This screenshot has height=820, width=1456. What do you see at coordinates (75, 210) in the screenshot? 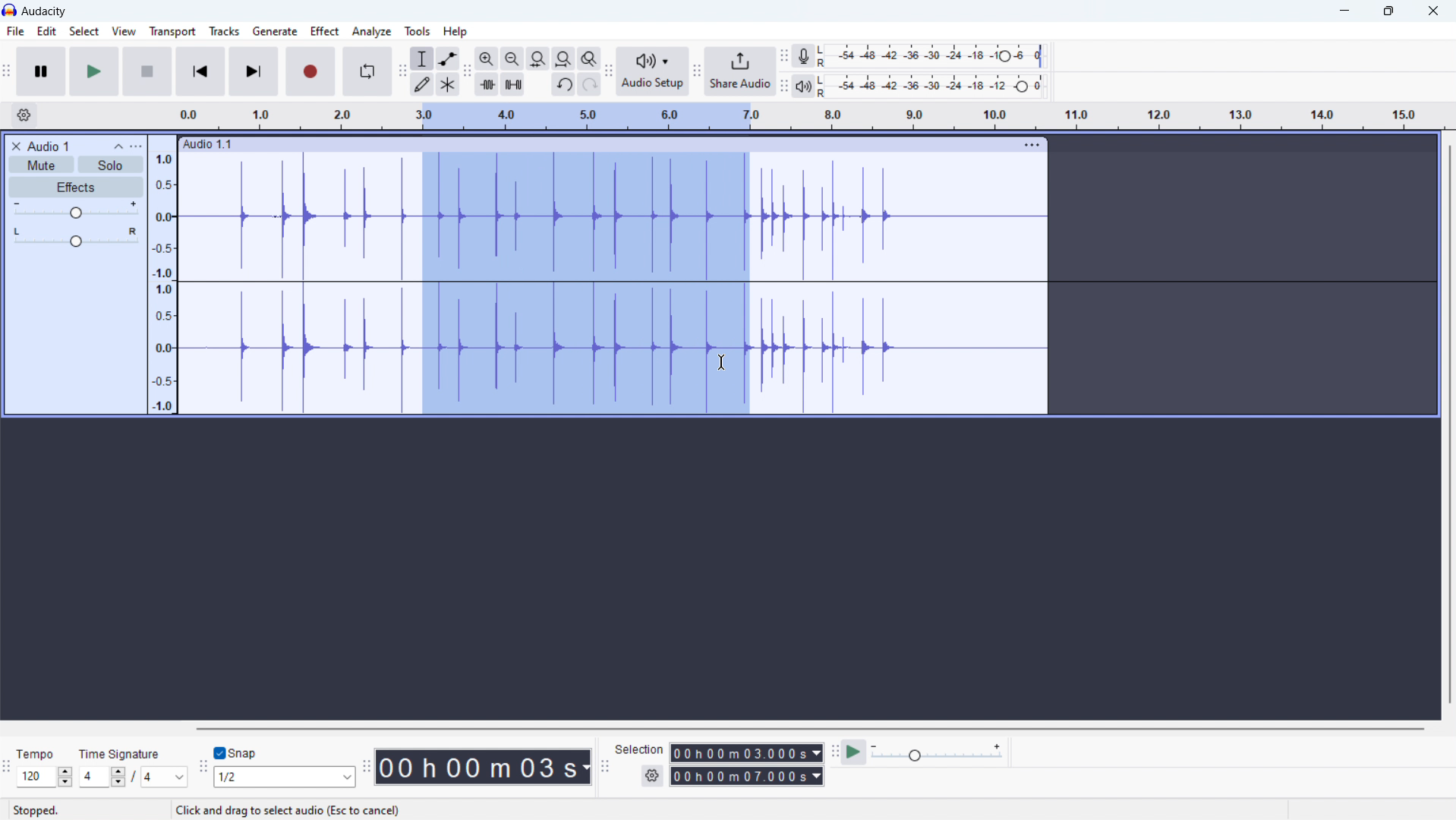
I see `volume` at bounding box center [75, 210].